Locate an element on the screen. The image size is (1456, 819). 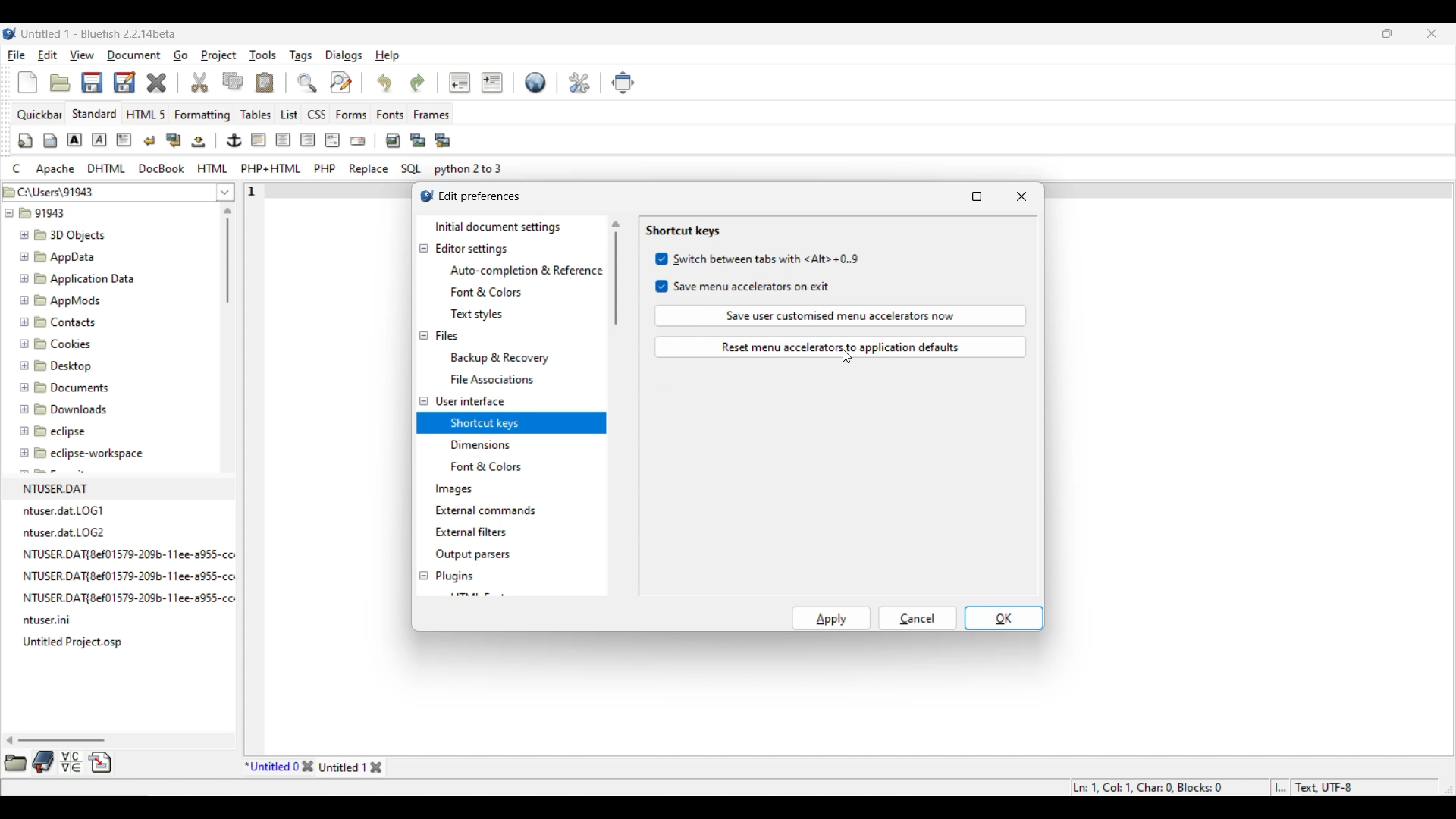
BB B Downloads is located at coordinates (60, 406).